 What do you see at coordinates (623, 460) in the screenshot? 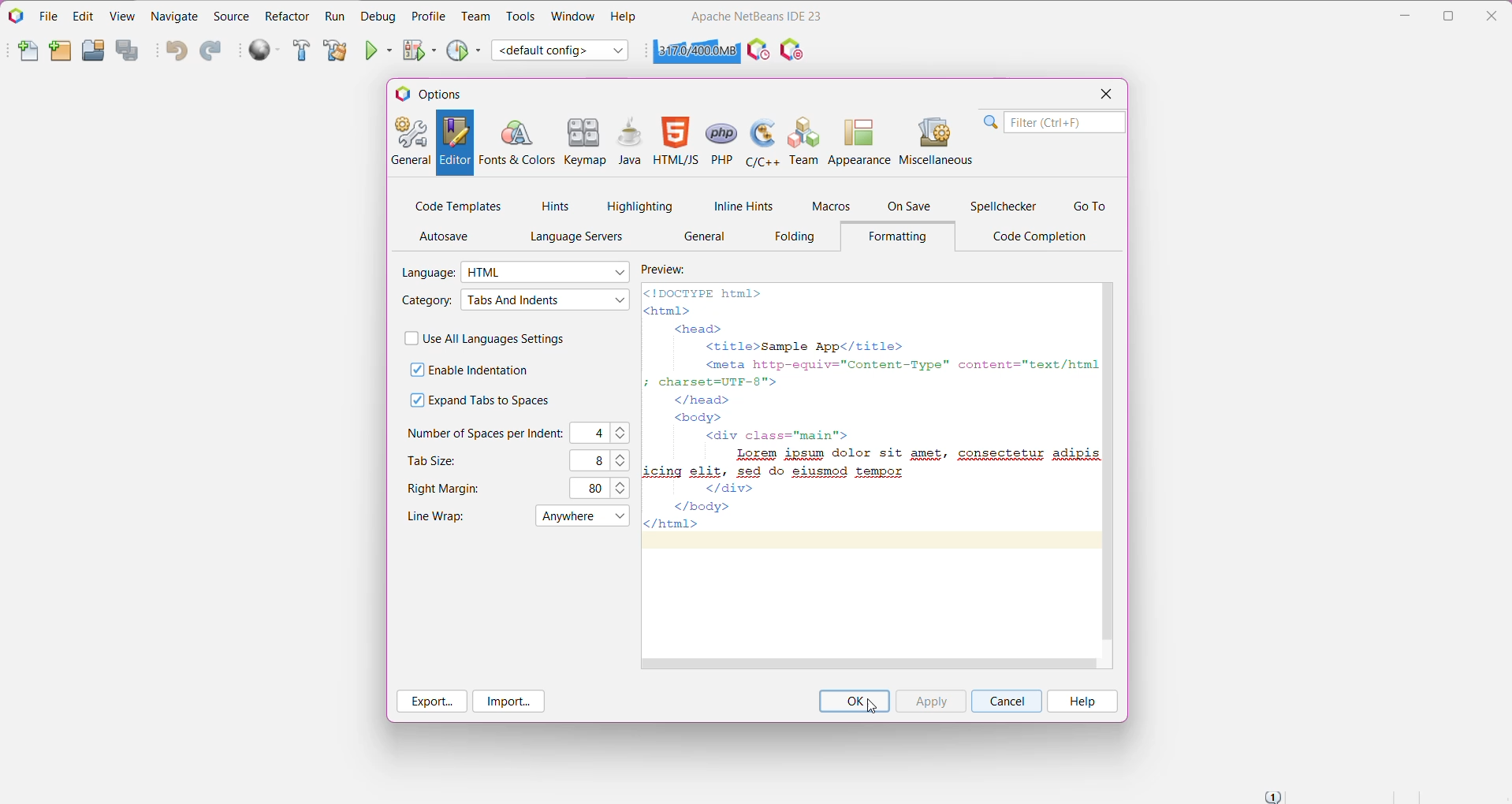
I see `Set the required tab size` at bounding box center [623, 460].